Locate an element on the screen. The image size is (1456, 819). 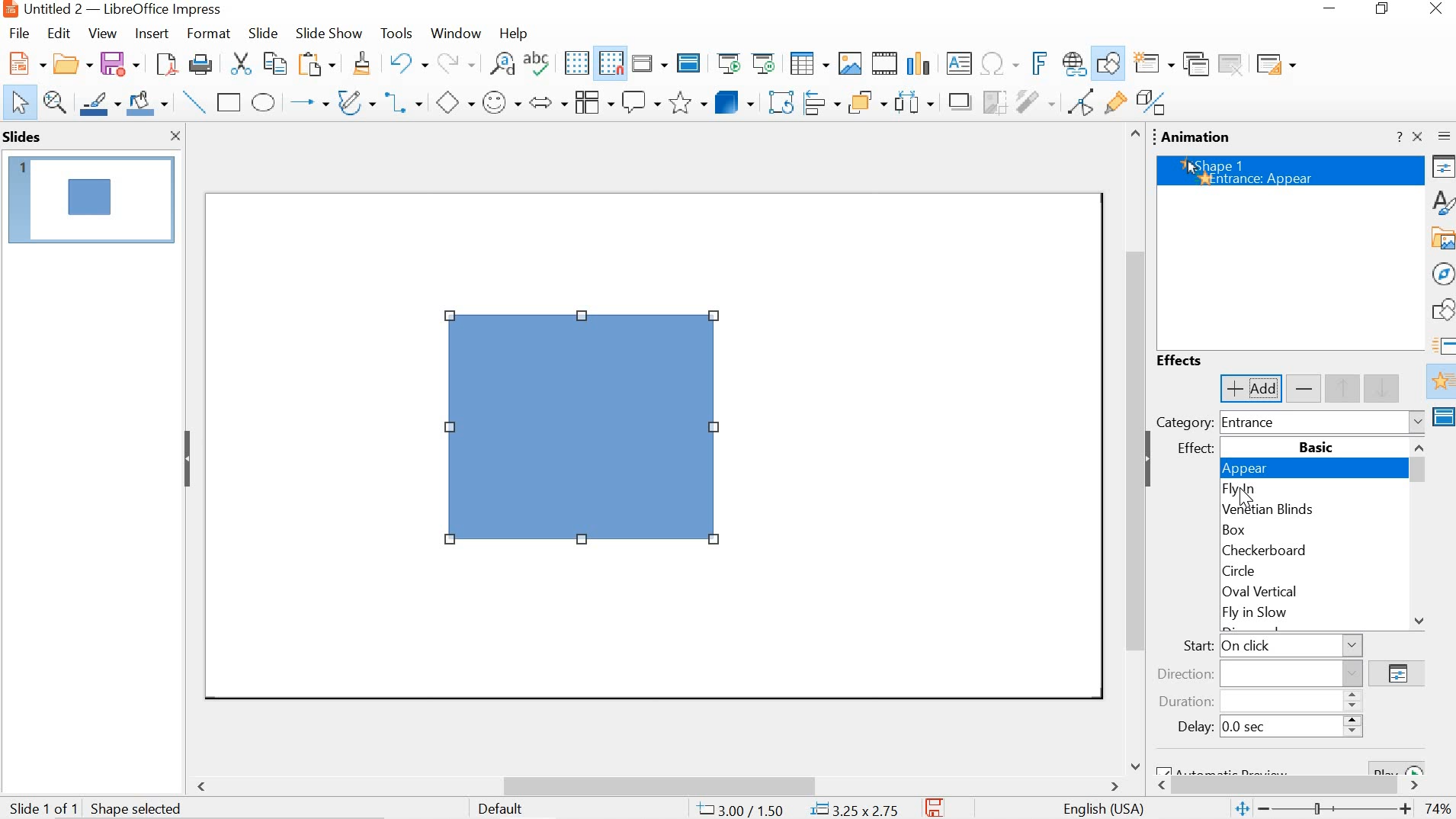
display grid is located at coordinates (576, 63).